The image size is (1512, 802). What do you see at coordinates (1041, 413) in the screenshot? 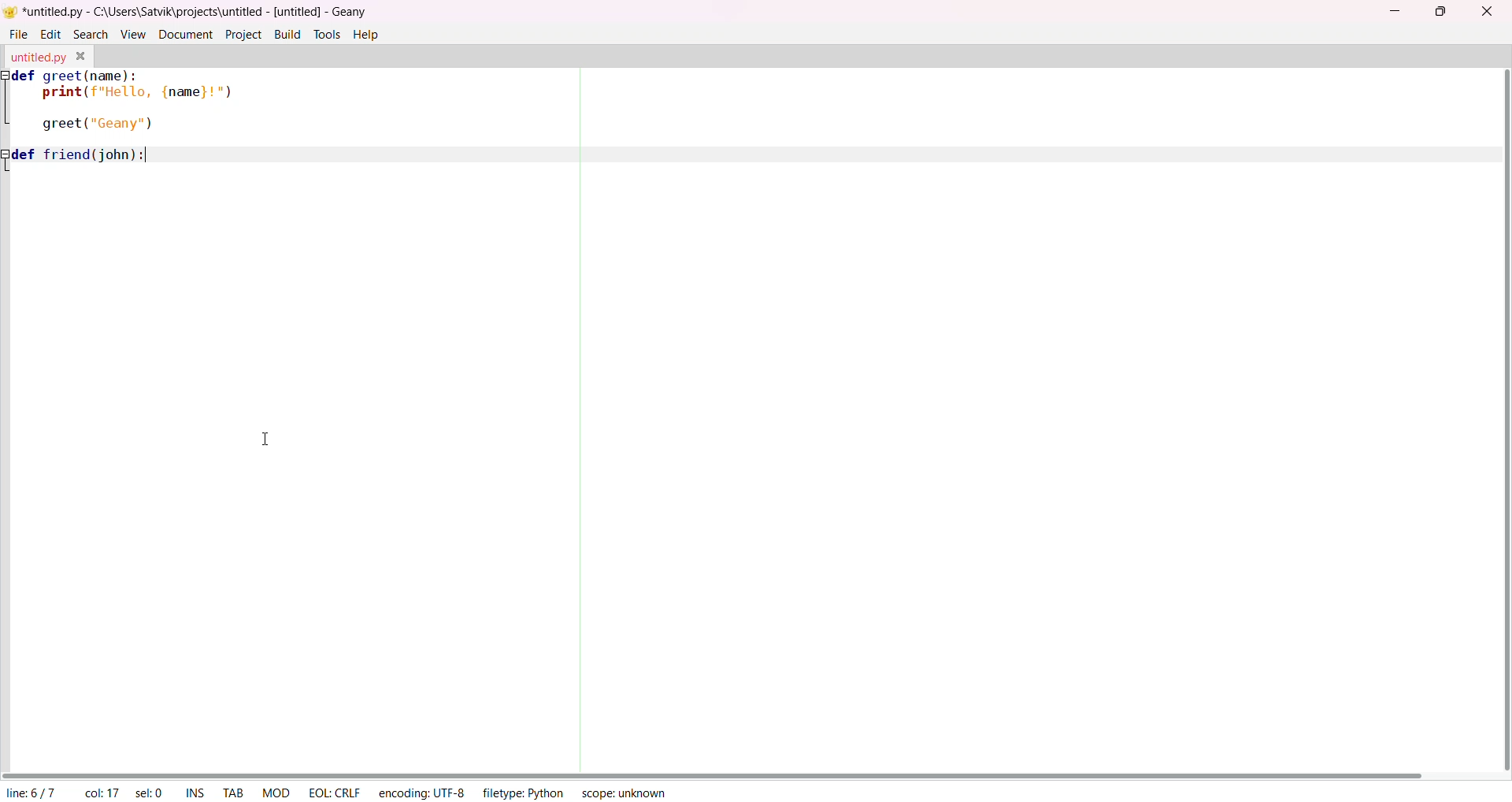
I see `Input text area` at bounding box center [1041, 413].